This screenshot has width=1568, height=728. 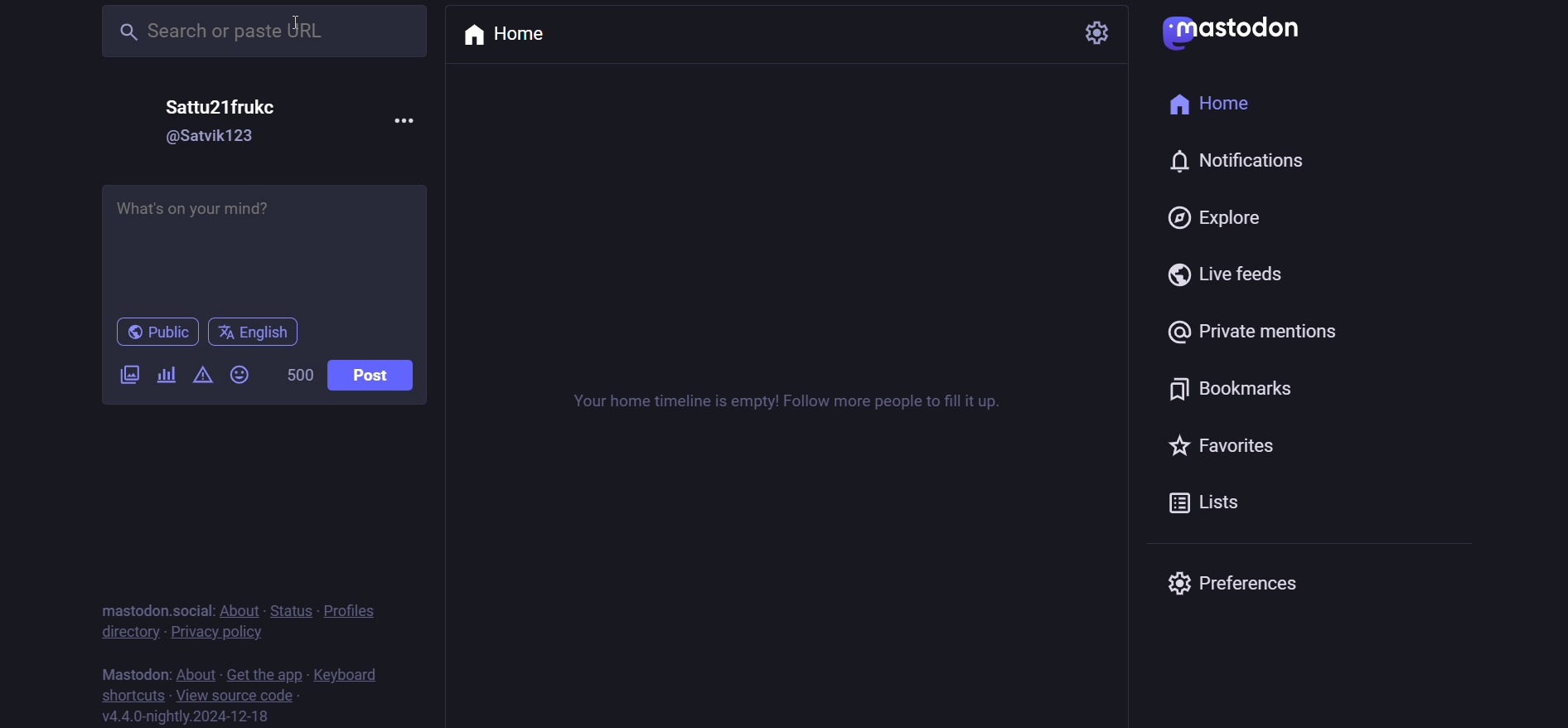 What do you see at coordinates (238, 374) in the screenshot?
I see `emoji` at bounding box center [238, 374].